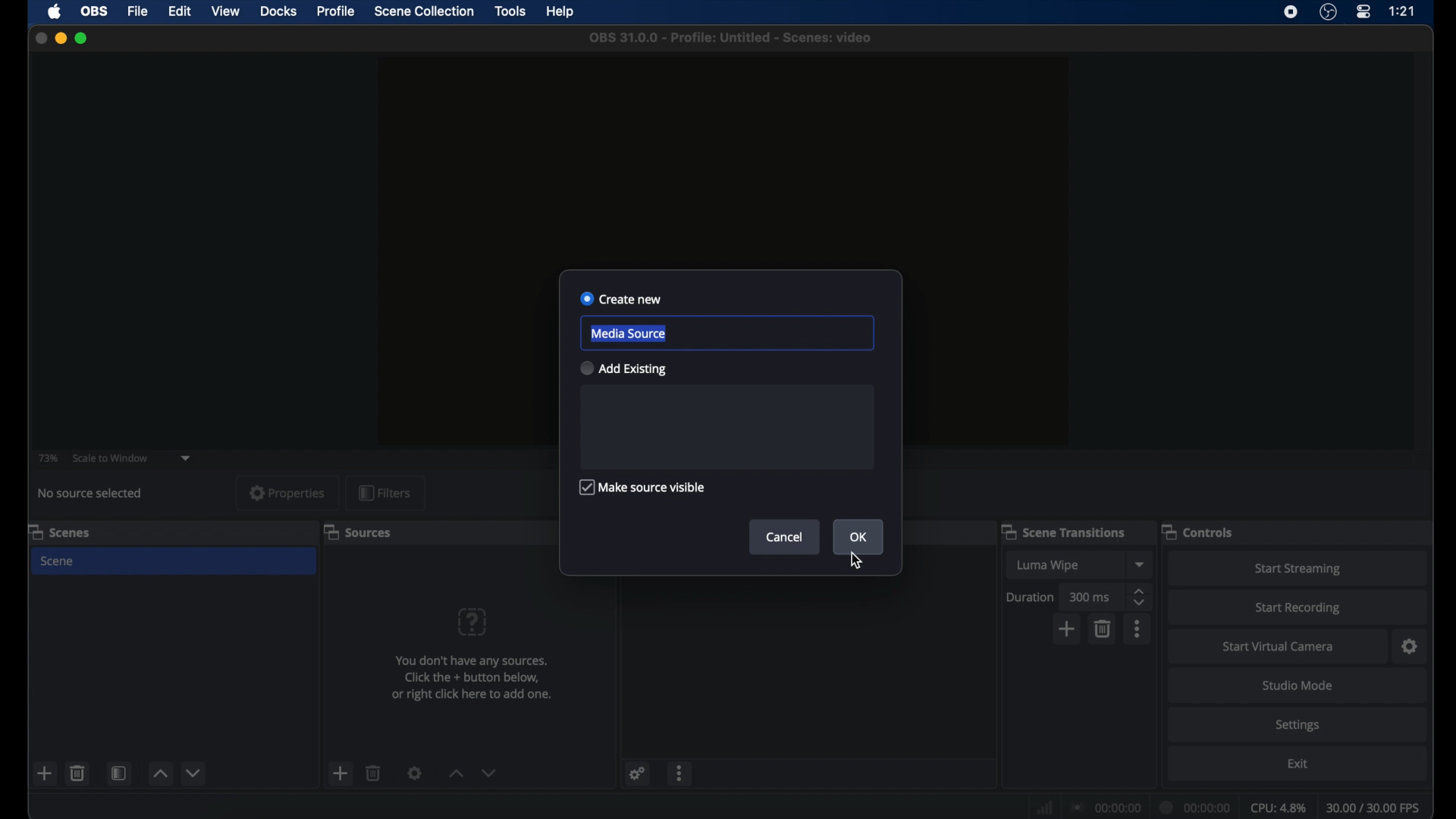 The height and width of the screenshot is (819, 1456). Describe the element at coordinates (855, 560) in the screenshot. I see `cursor` at that location.